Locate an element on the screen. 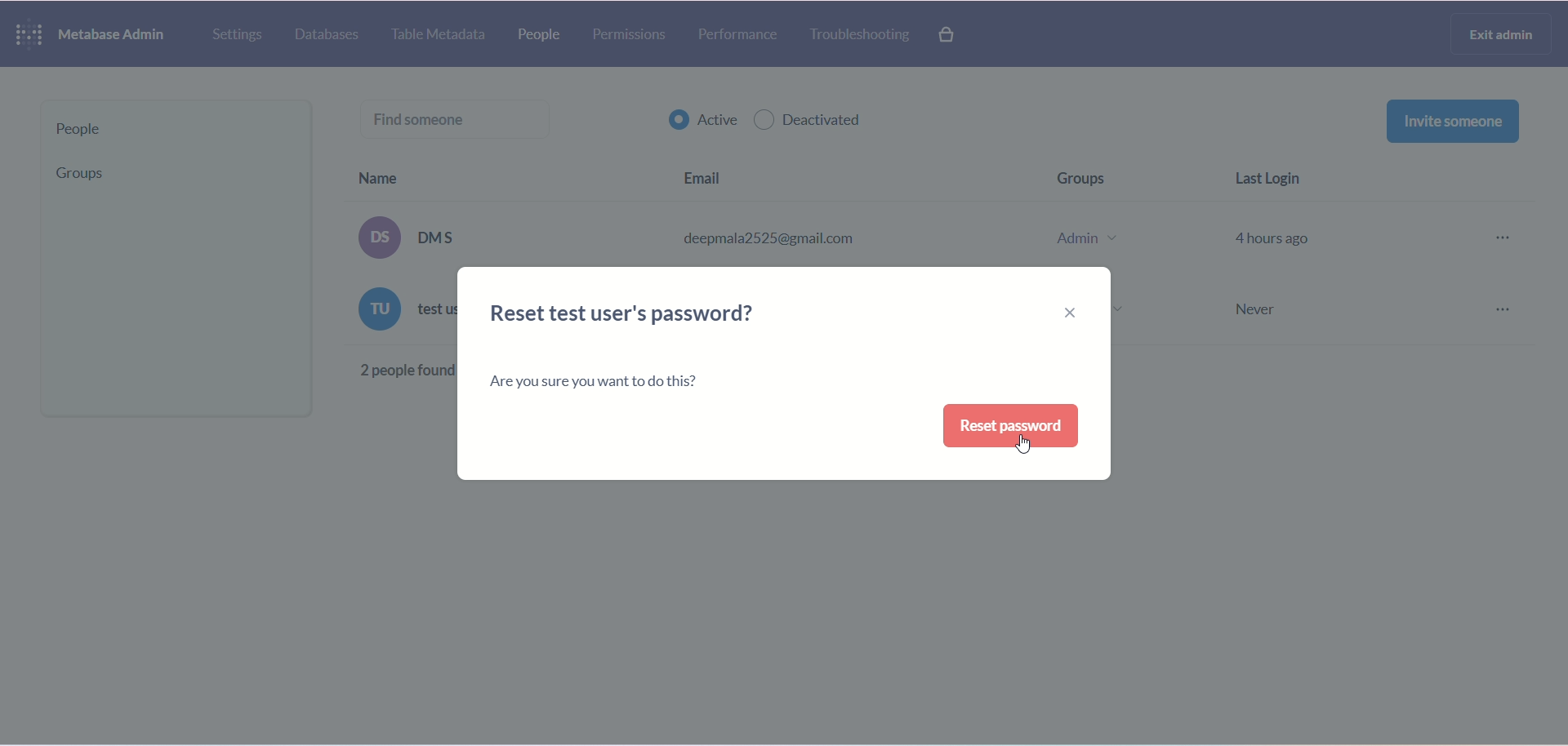 The image size is (1568, 746). logo is located at coordinates (29, 33).